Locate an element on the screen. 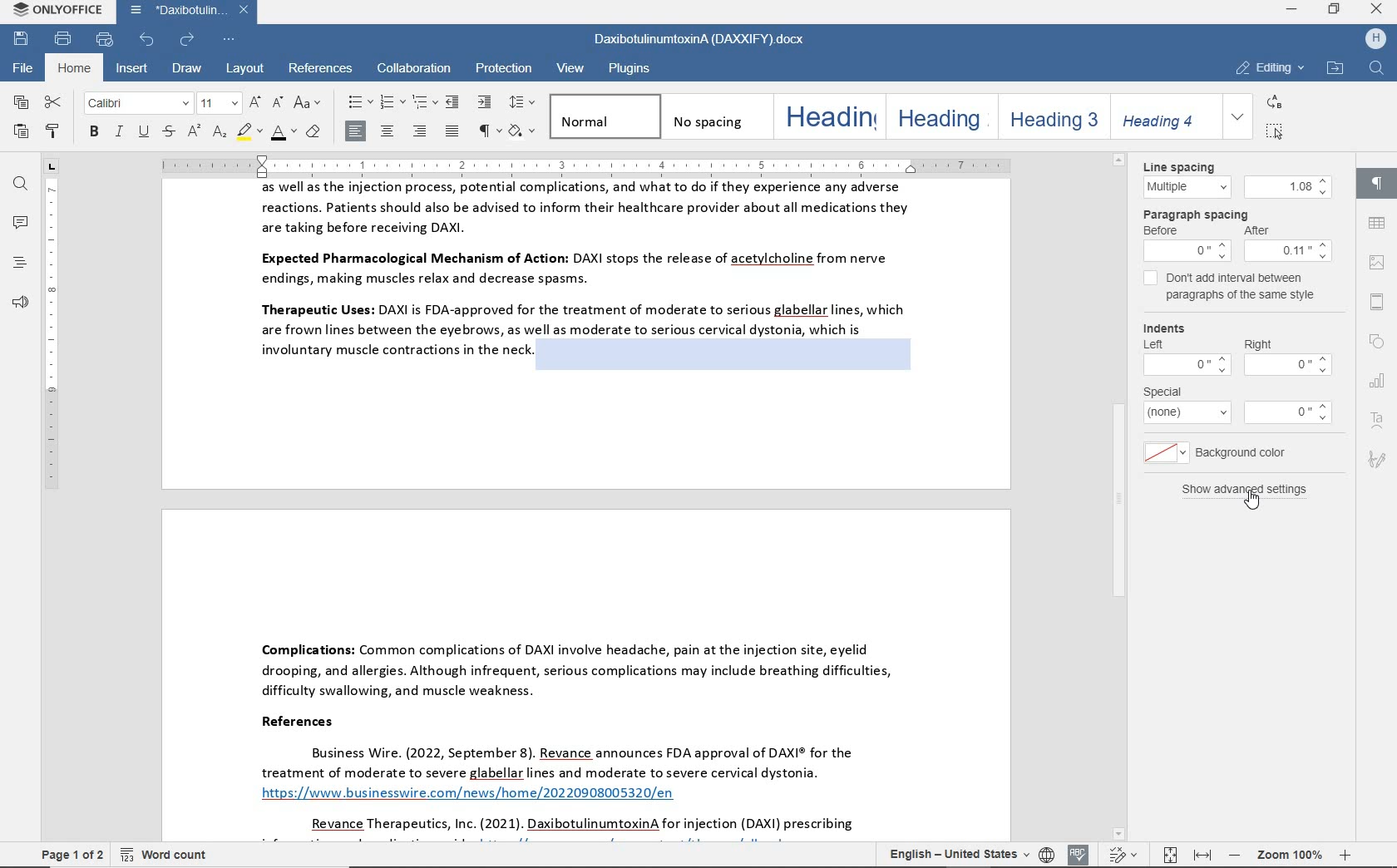 Image resolution: width=1397 pixels, height=868 pixels. pointer is located at coordinates (1255, 506).